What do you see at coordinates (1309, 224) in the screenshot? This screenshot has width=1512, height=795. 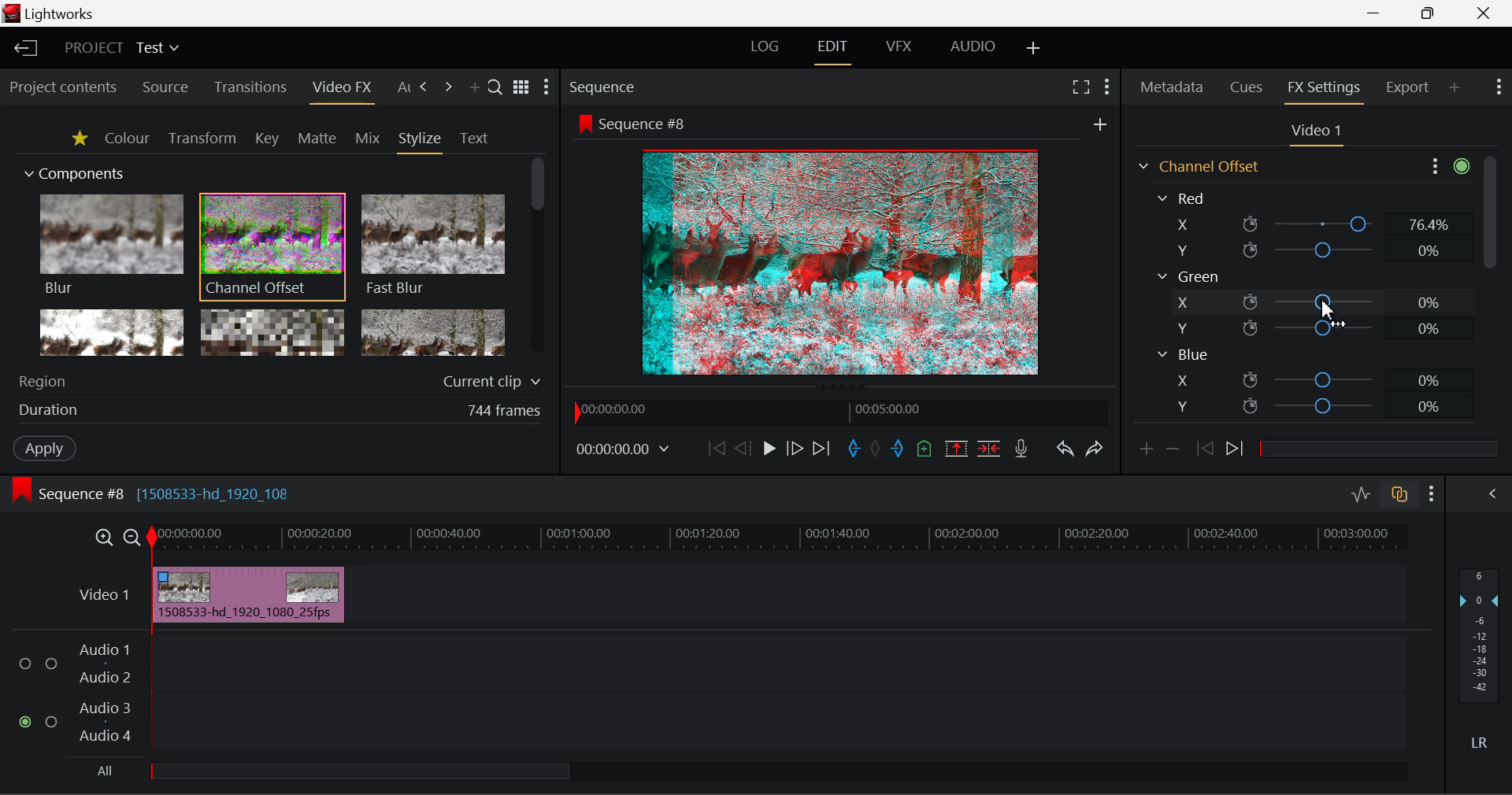 I see `Red X` at bounding box center [1309, 224].